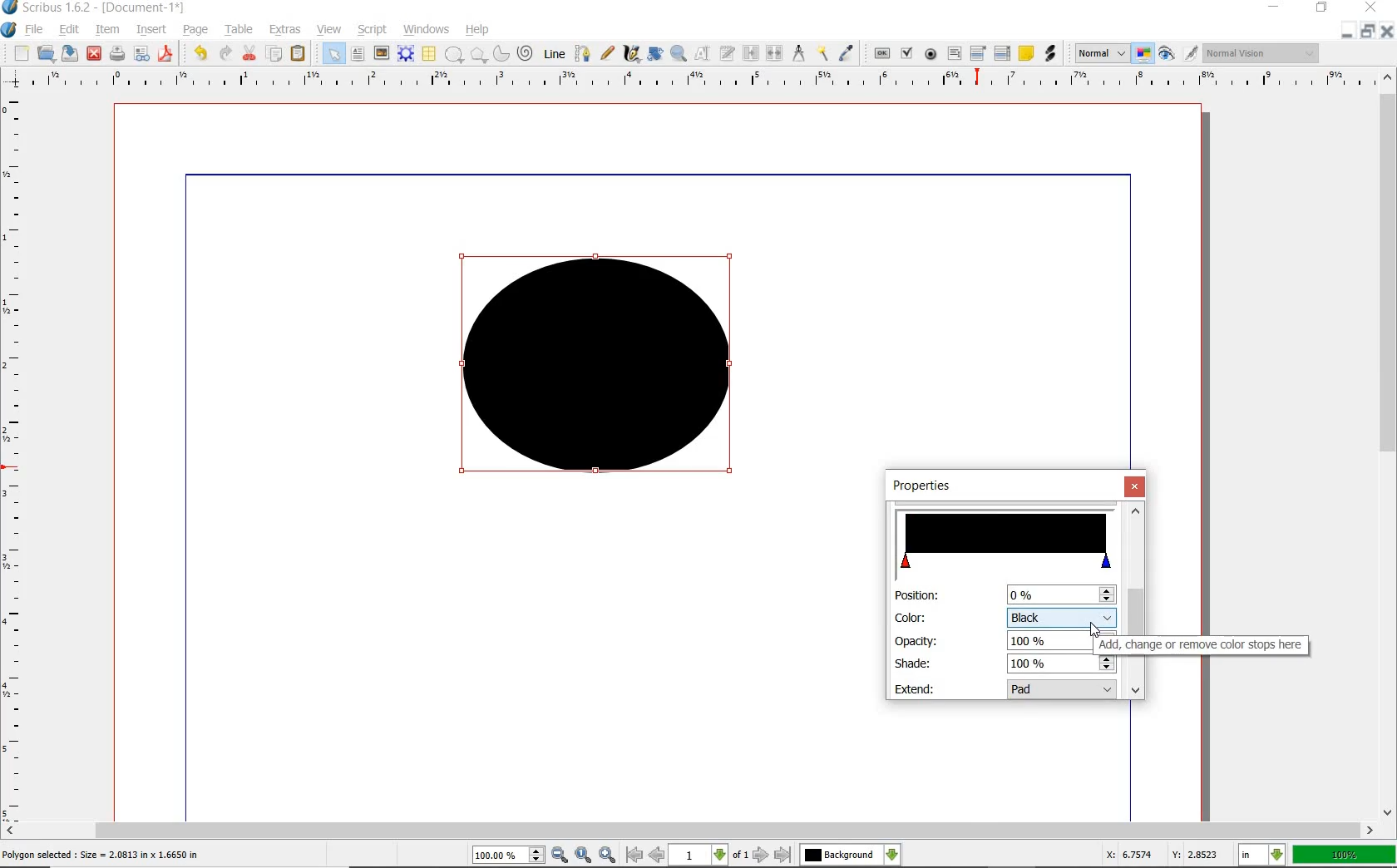 Image resolution: width=1397 pixels, height=868 pixels. I want to click on EDIT IN PREVIEW MODE, so click(1190, 52).